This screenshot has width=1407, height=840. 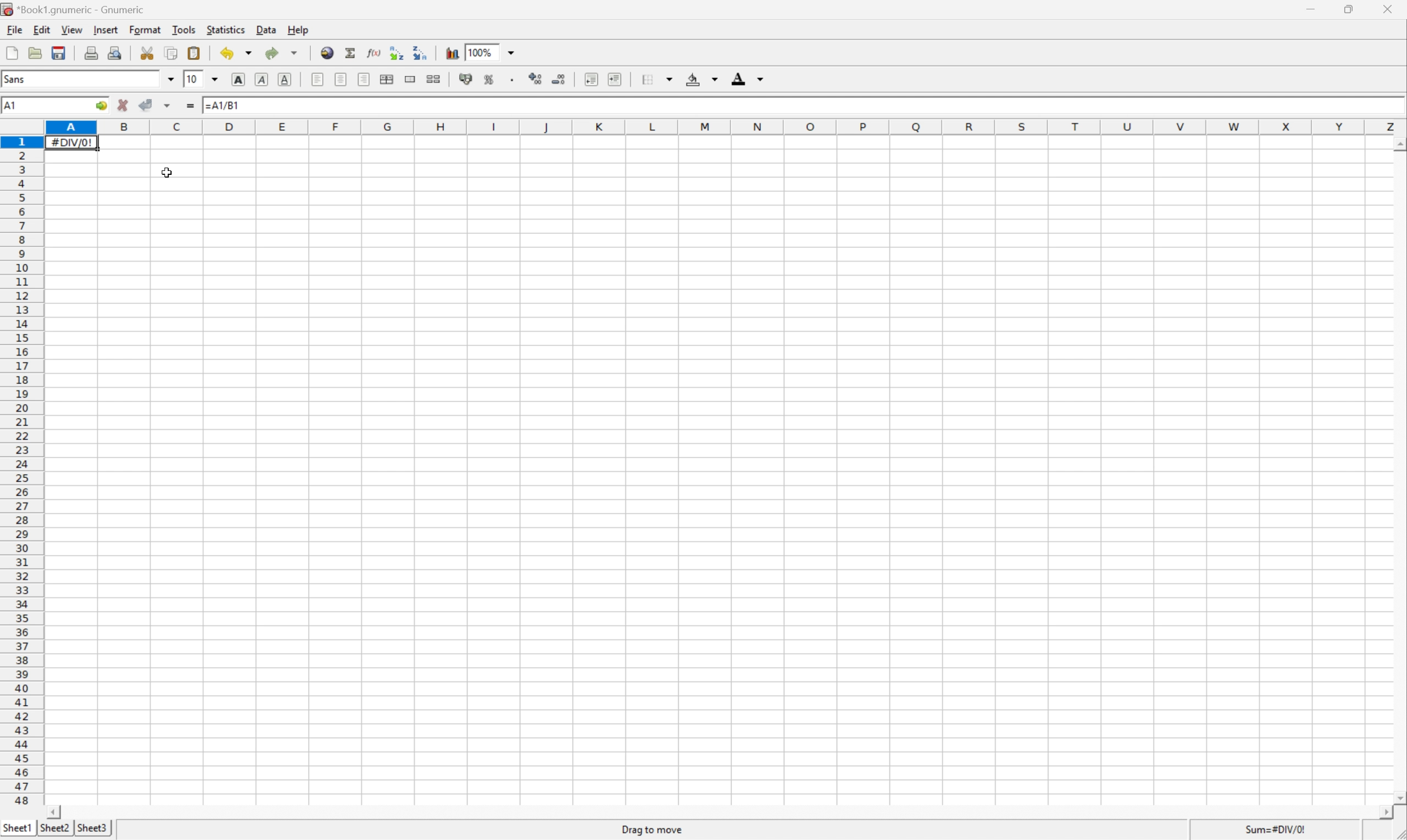 I want to click on center horizontally, so click(x=342, y=79).